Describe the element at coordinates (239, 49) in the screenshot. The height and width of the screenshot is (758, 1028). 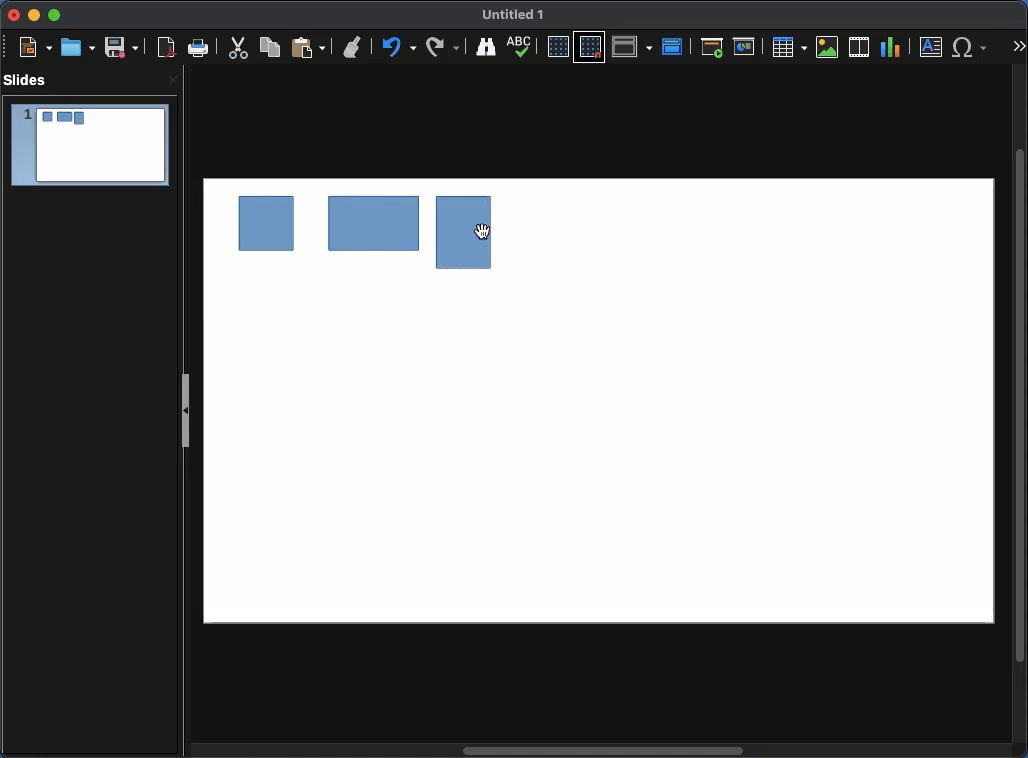
I see `Cut` at that location.